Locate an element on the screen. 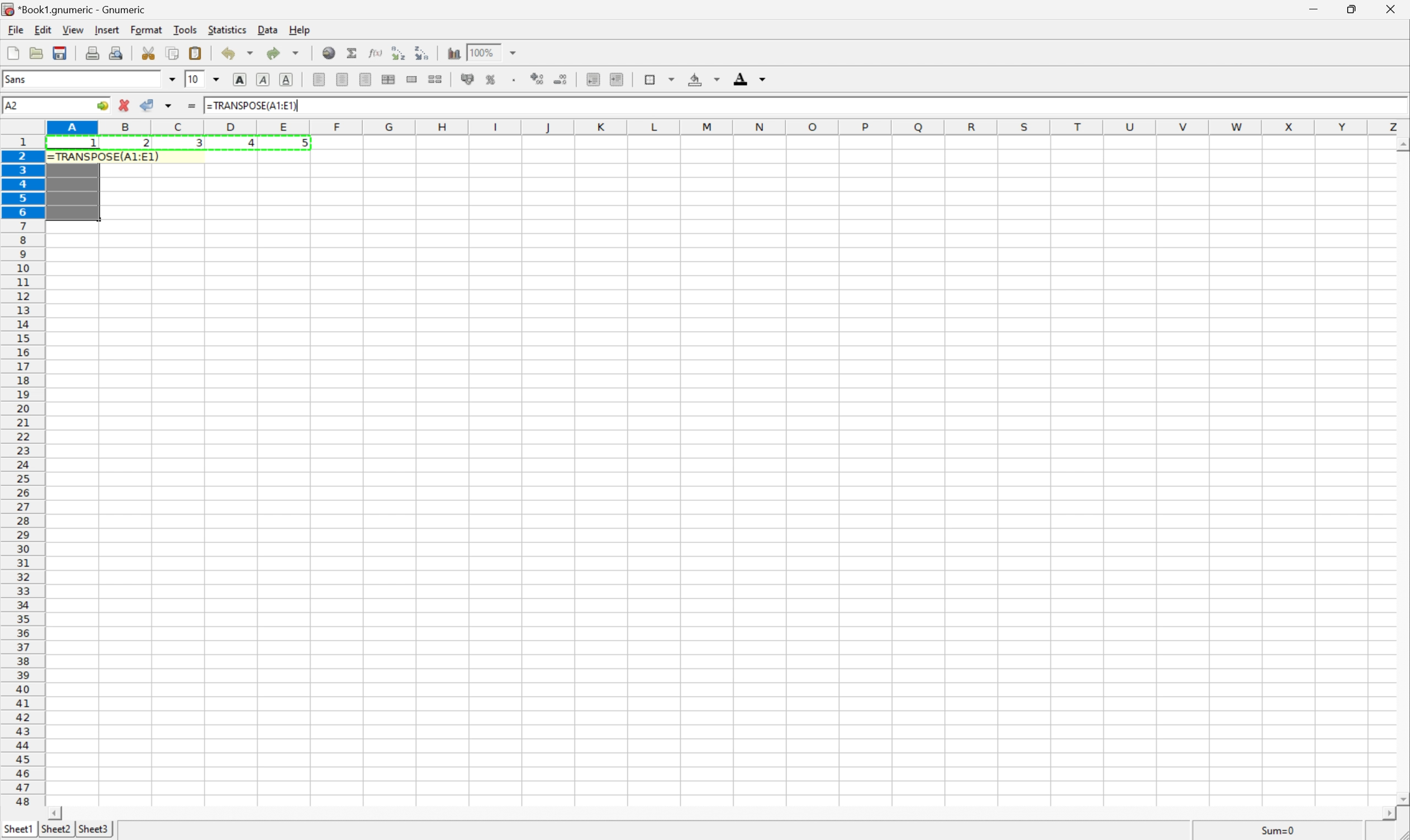 The height and width of the screenshot is (840, 1410). drop down is located at coordinates (514, 53).